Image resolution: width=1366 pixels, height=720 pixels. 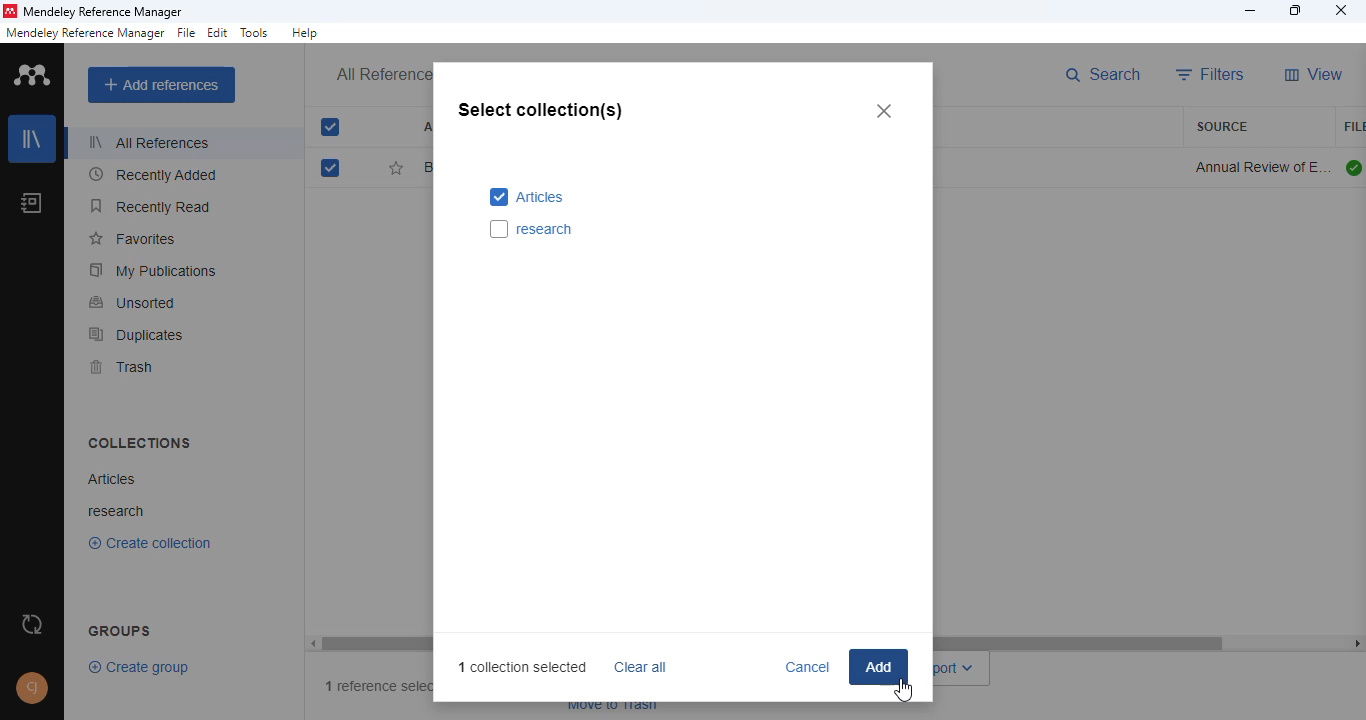 I want to click on close, so click(x=1342, y=10).